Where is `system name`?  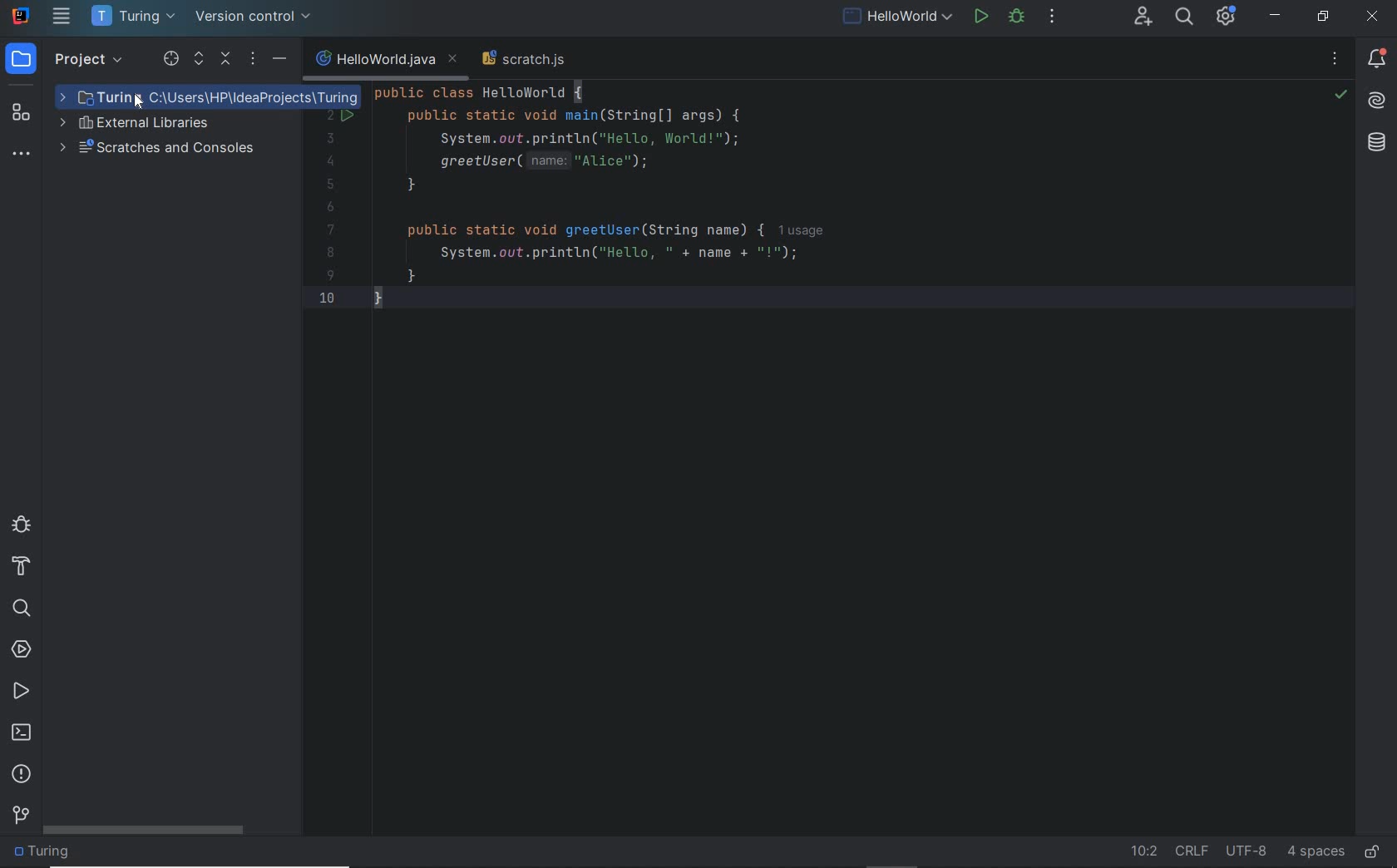
system name is located at coordinates (21, 16).